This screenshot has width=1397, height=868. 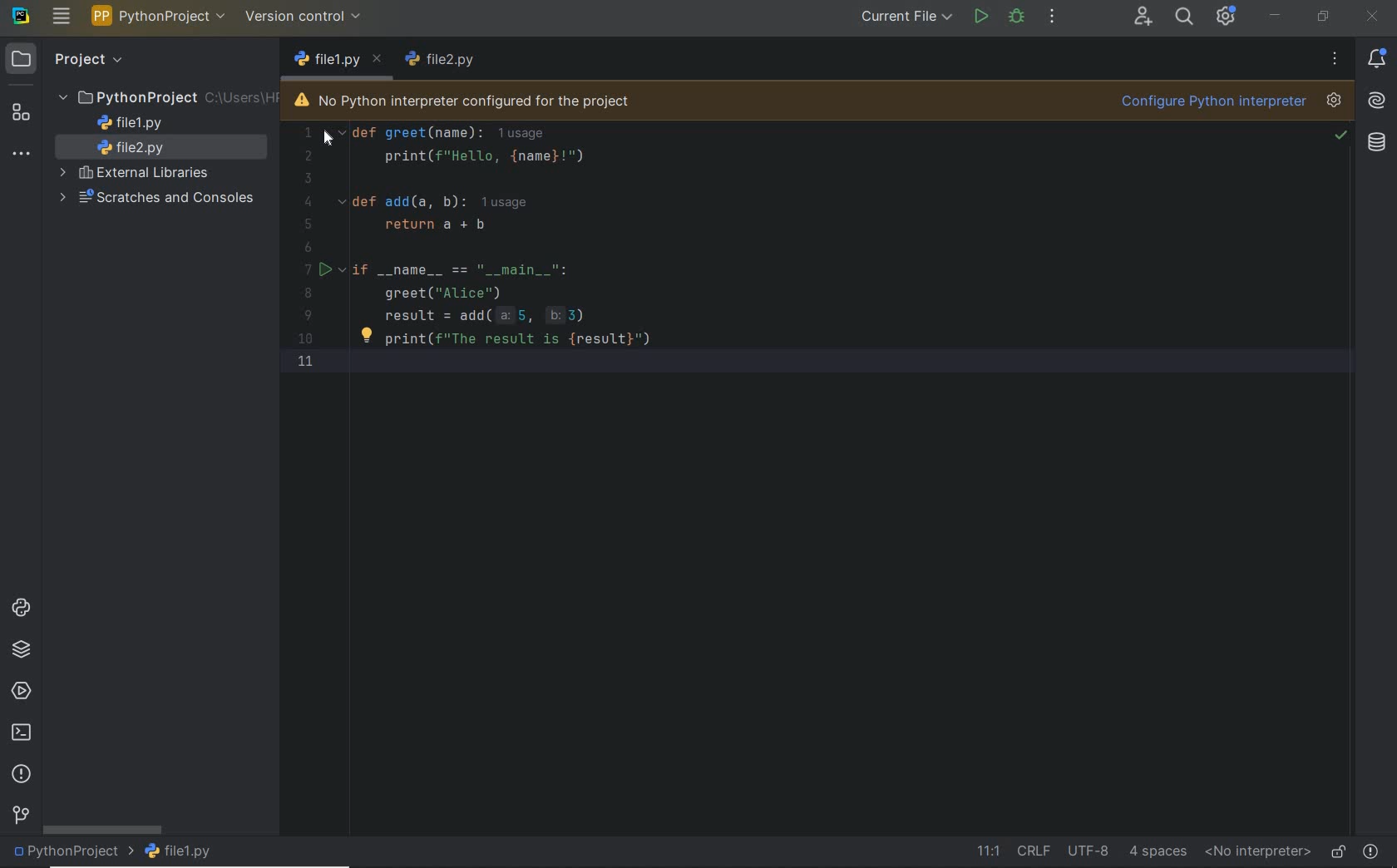 I want to click on minimize, so click(x=1275, y=16).